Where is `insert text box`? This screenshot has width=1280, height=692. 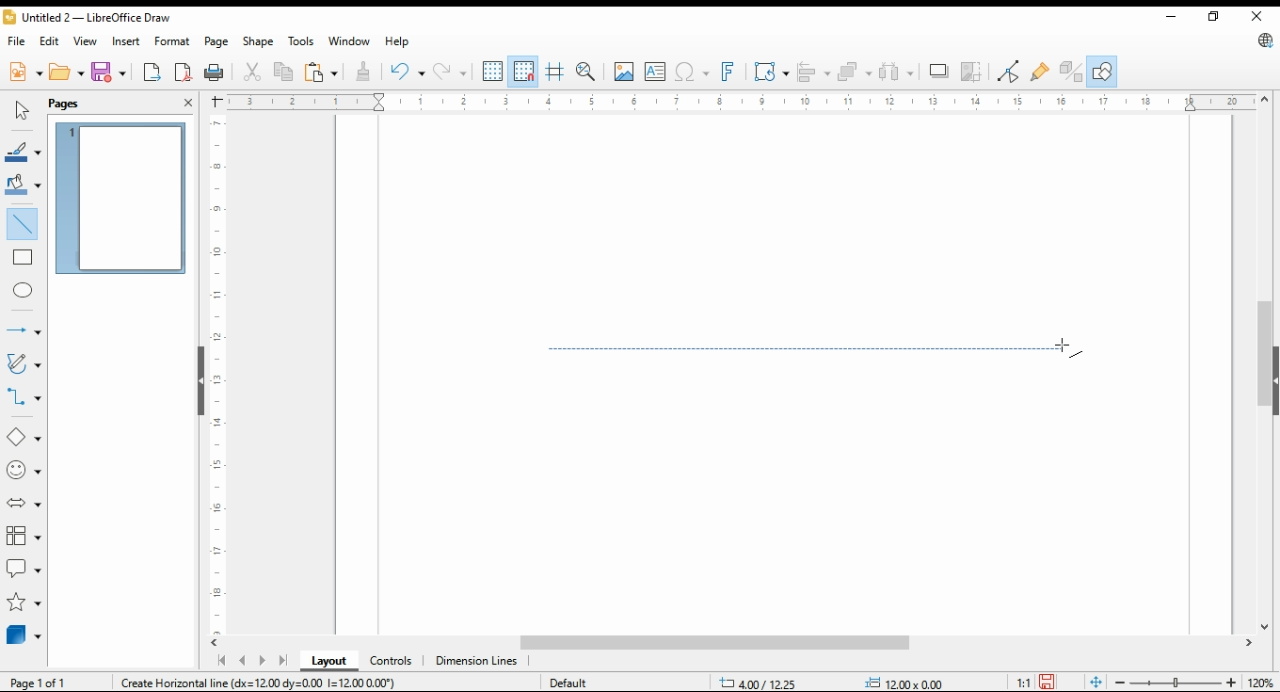 insert text box is located at coordinates (655, 71).